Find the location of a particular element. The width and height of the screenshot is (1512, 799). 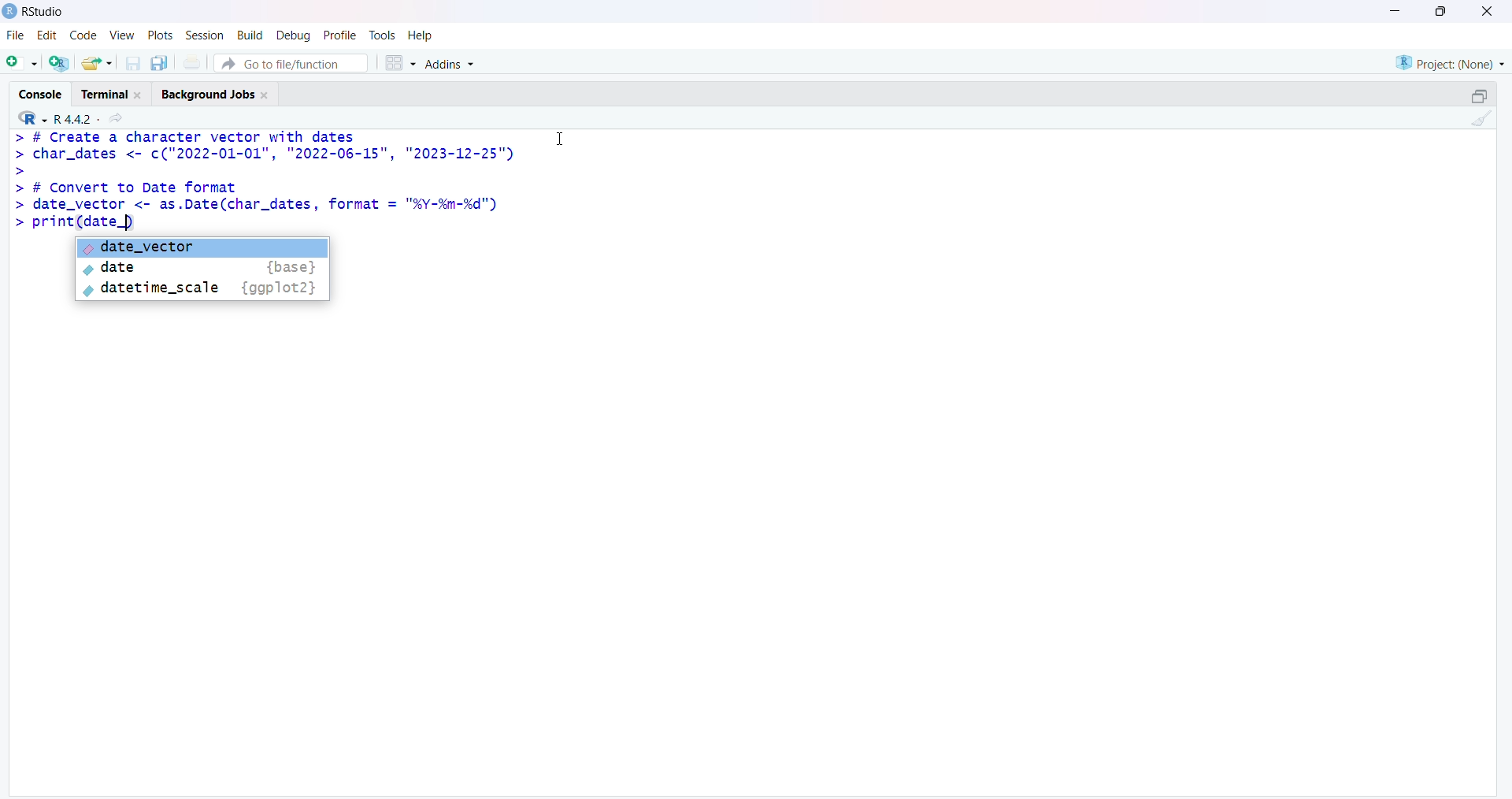

Plots is located at coordinates (158, 35).